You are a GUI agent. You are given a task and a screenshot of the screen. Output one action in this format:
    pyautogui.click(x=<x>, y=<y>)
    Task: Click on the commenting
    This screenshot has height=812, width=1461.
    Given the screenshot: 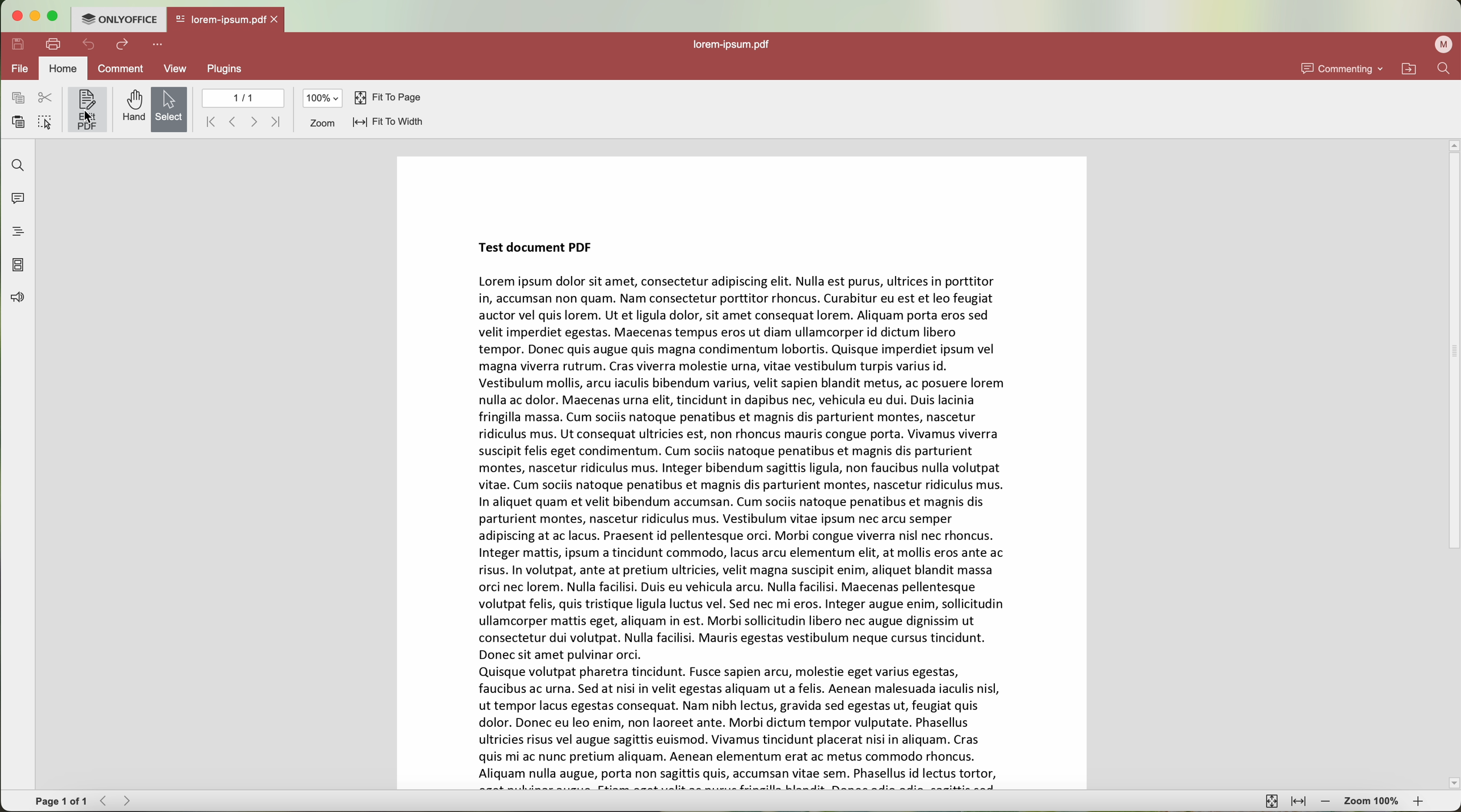 What is the action you would take?
    pyautogui.click(x=1340, y=68)
    